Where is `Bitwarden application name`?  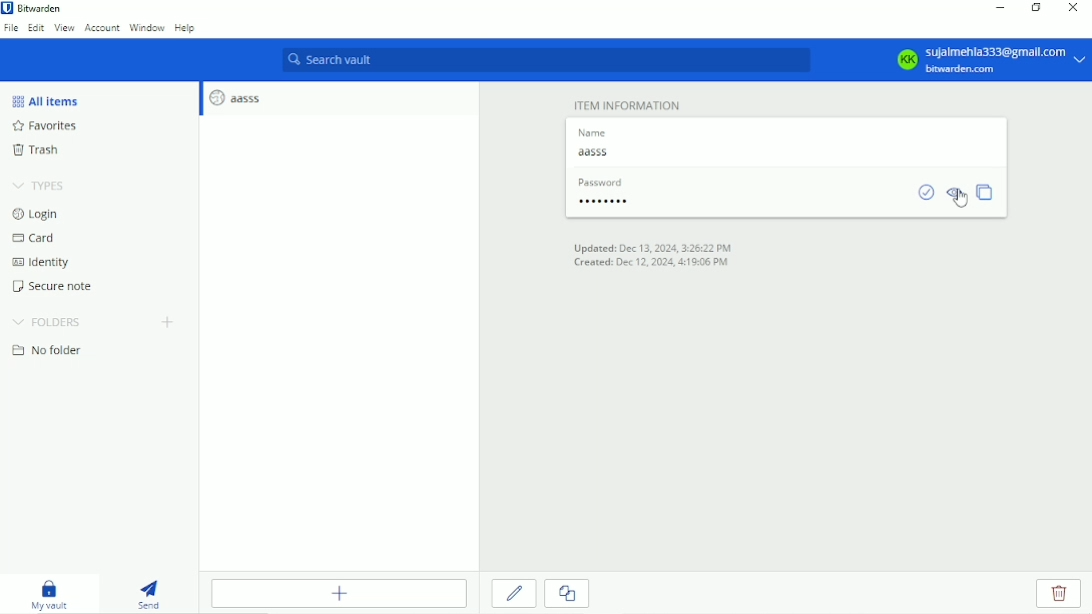 Bitwarden application name is located at coordinates (42, 9).